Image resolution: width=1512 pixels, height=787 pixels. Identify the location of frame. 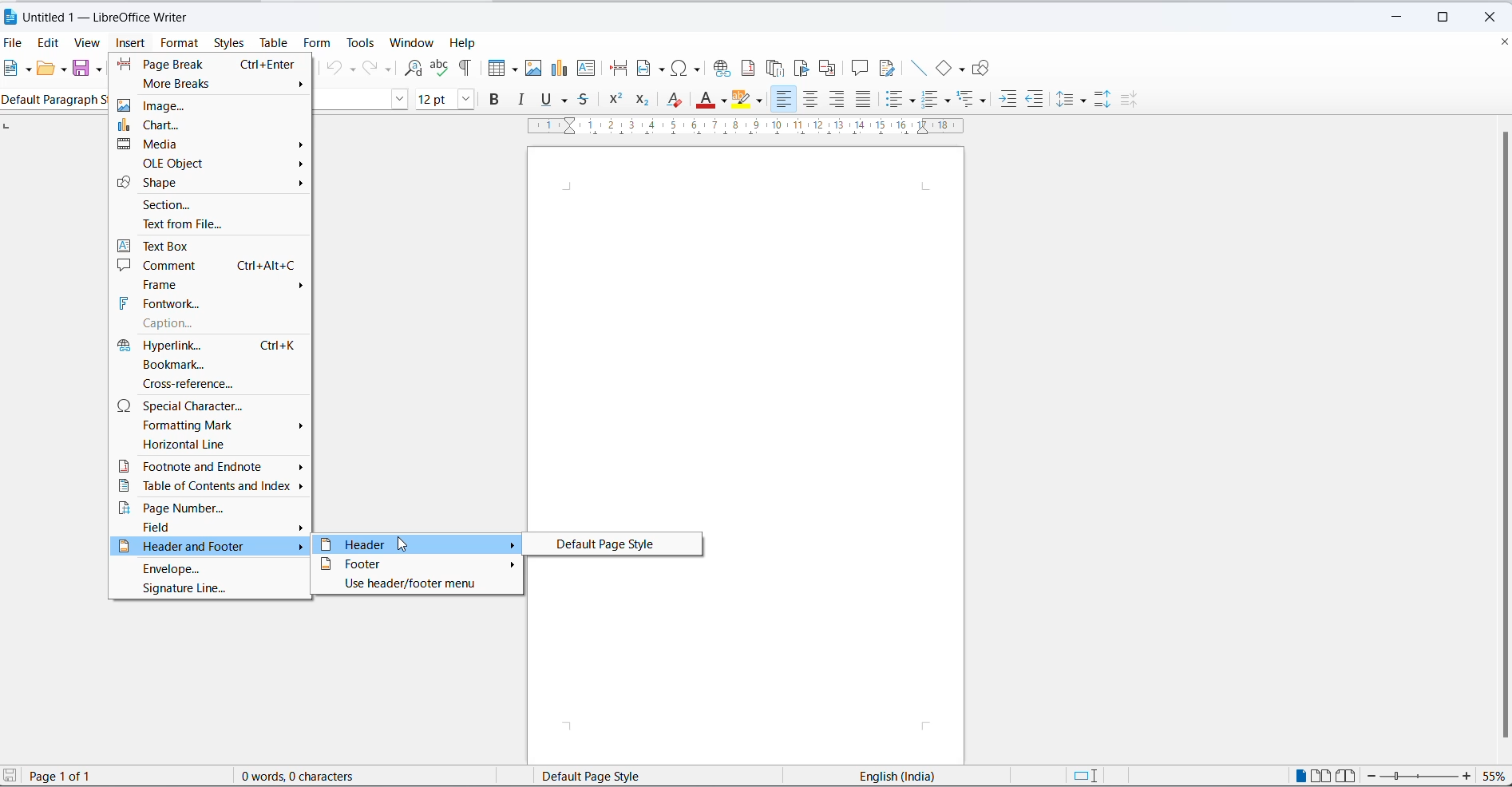
(209, 284).